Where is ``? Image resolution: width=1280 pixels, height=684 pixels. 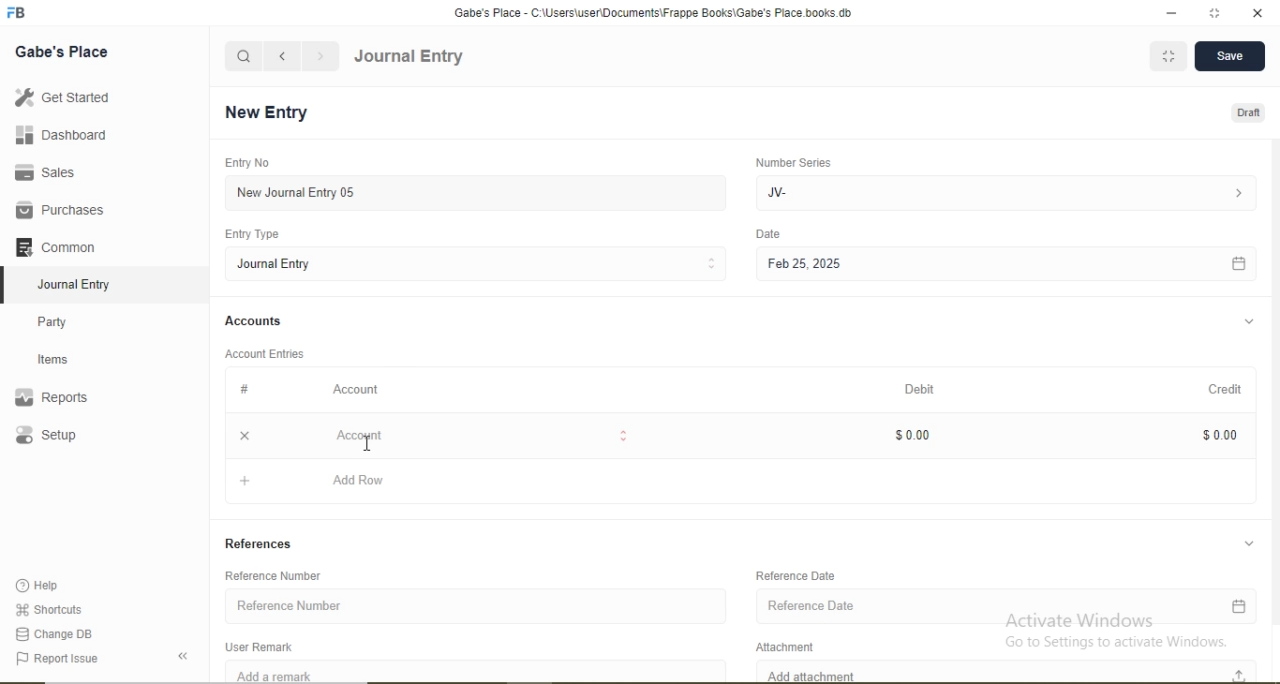
 is located at coordinates (246, 389).